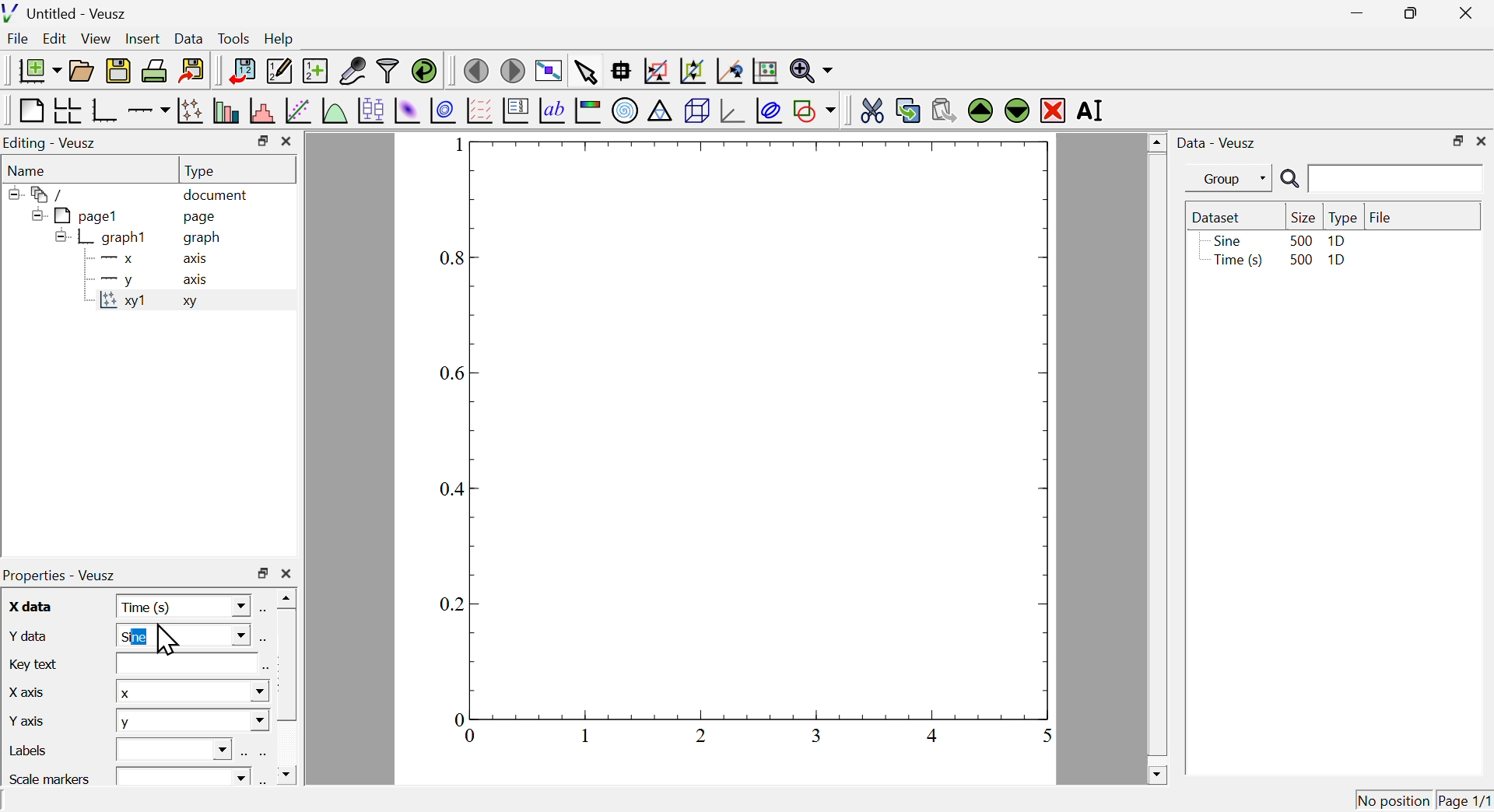  Describe the element at coordinates (141, 37) in the screenshot. I see `Insert` at that location.